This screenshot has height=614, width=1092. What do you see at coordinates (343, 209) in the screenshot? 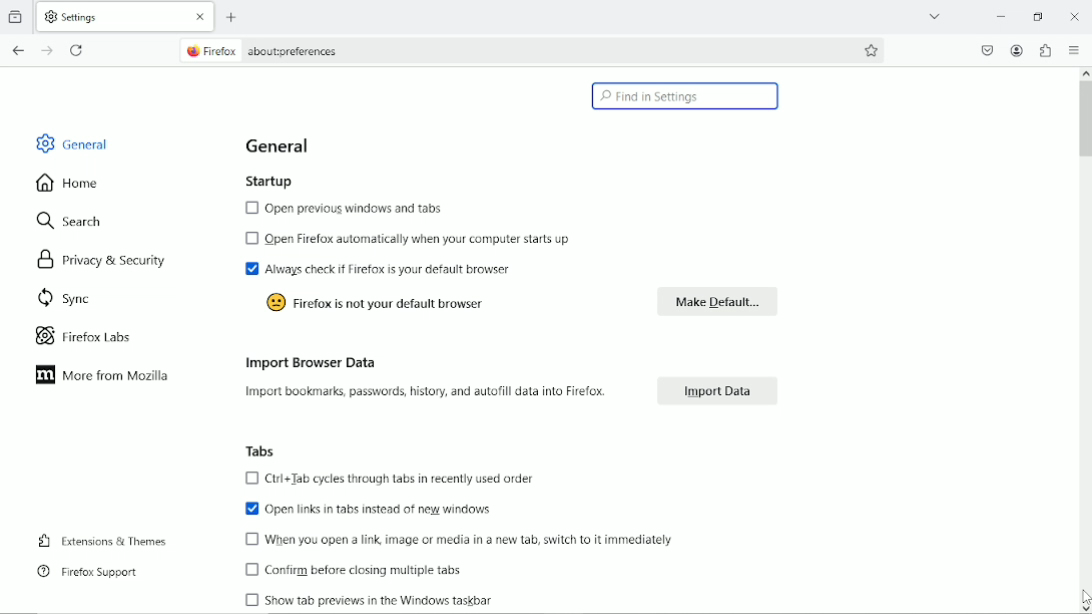
I see `Open previous windows and tabs` at bounding box center [343, 209].